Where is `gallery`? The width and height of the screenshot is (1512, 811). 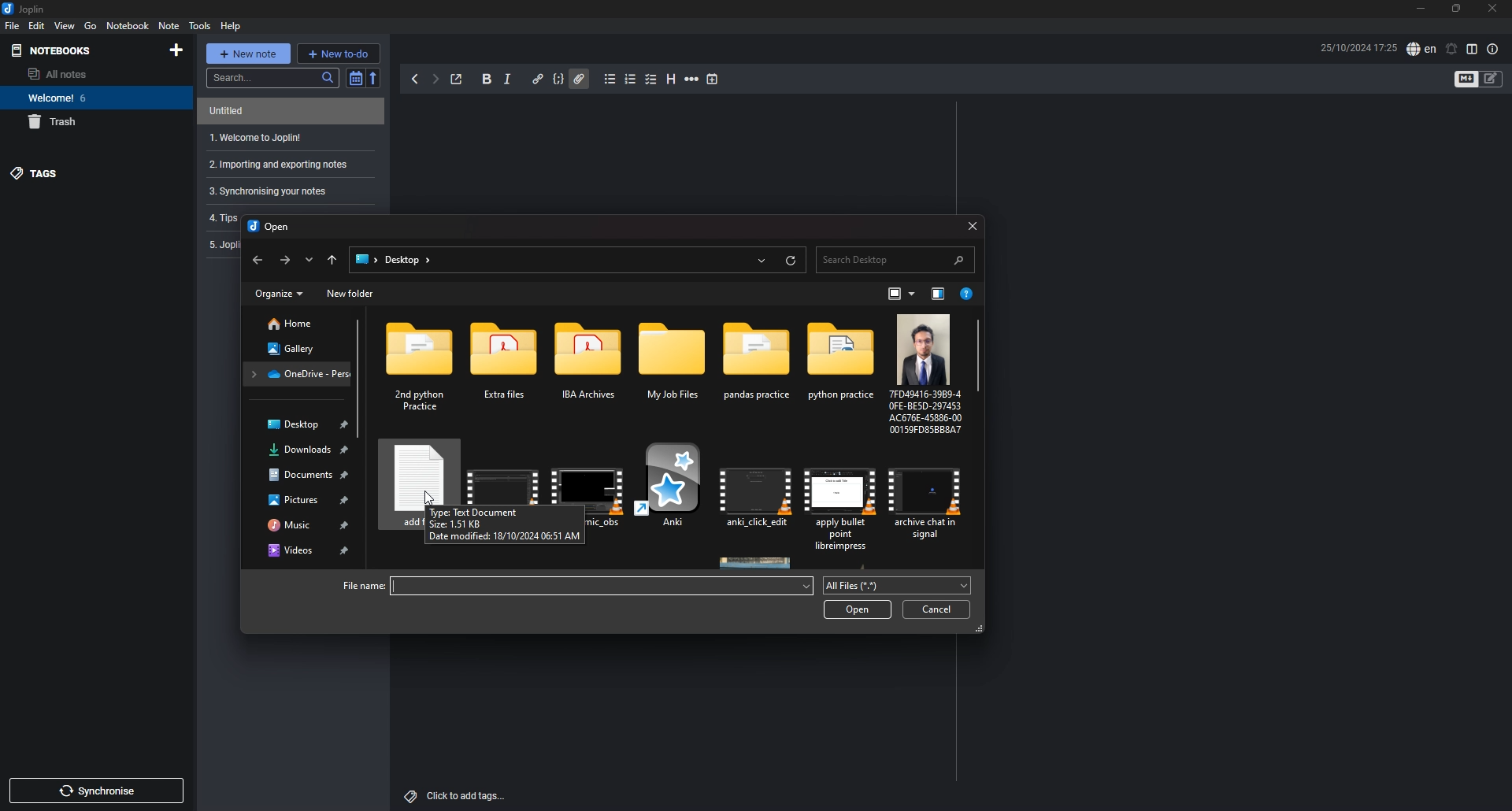 gallery is located at coordinates (296, 348).